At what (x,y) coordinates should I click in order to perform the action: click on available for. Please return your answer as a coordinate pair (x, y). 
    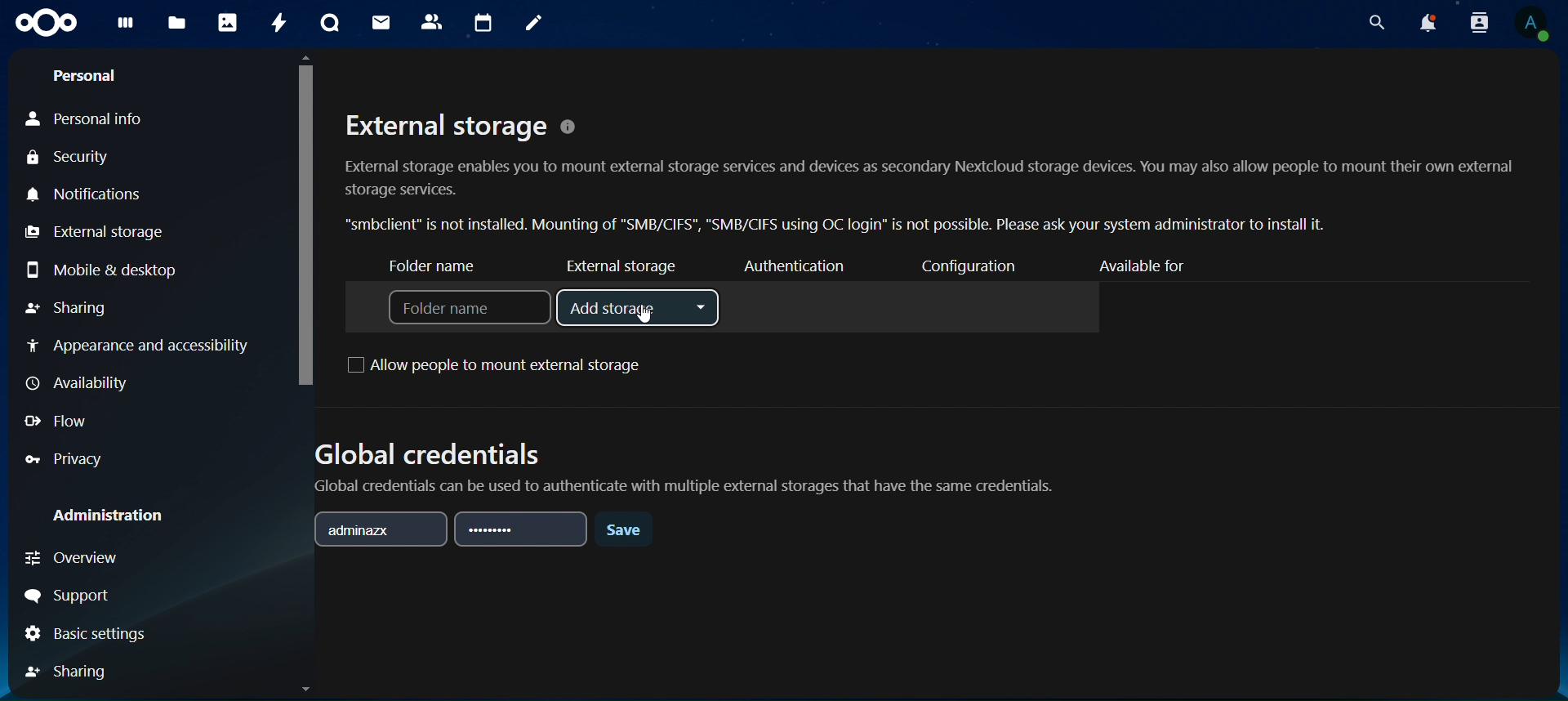
    Looking at the image, I should click on (1150, 265).